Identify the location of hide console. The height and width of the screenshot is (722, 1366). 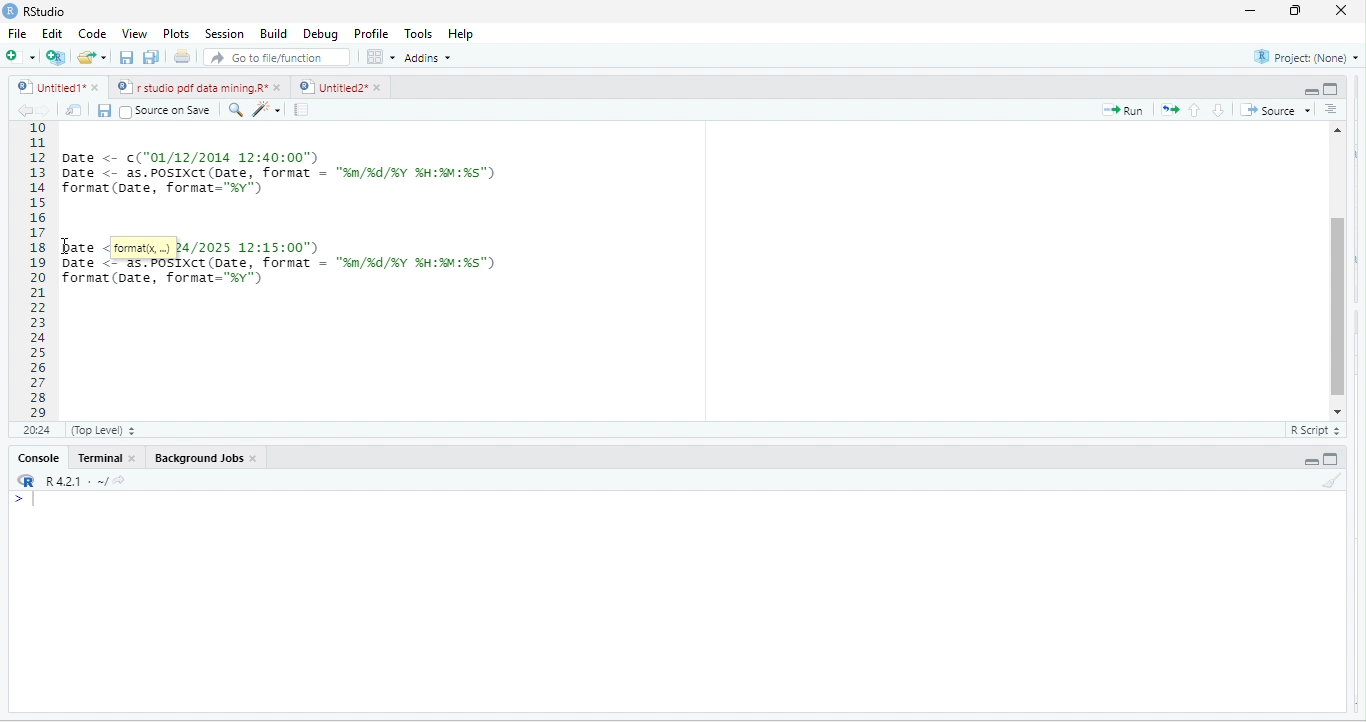
(1334, 89).